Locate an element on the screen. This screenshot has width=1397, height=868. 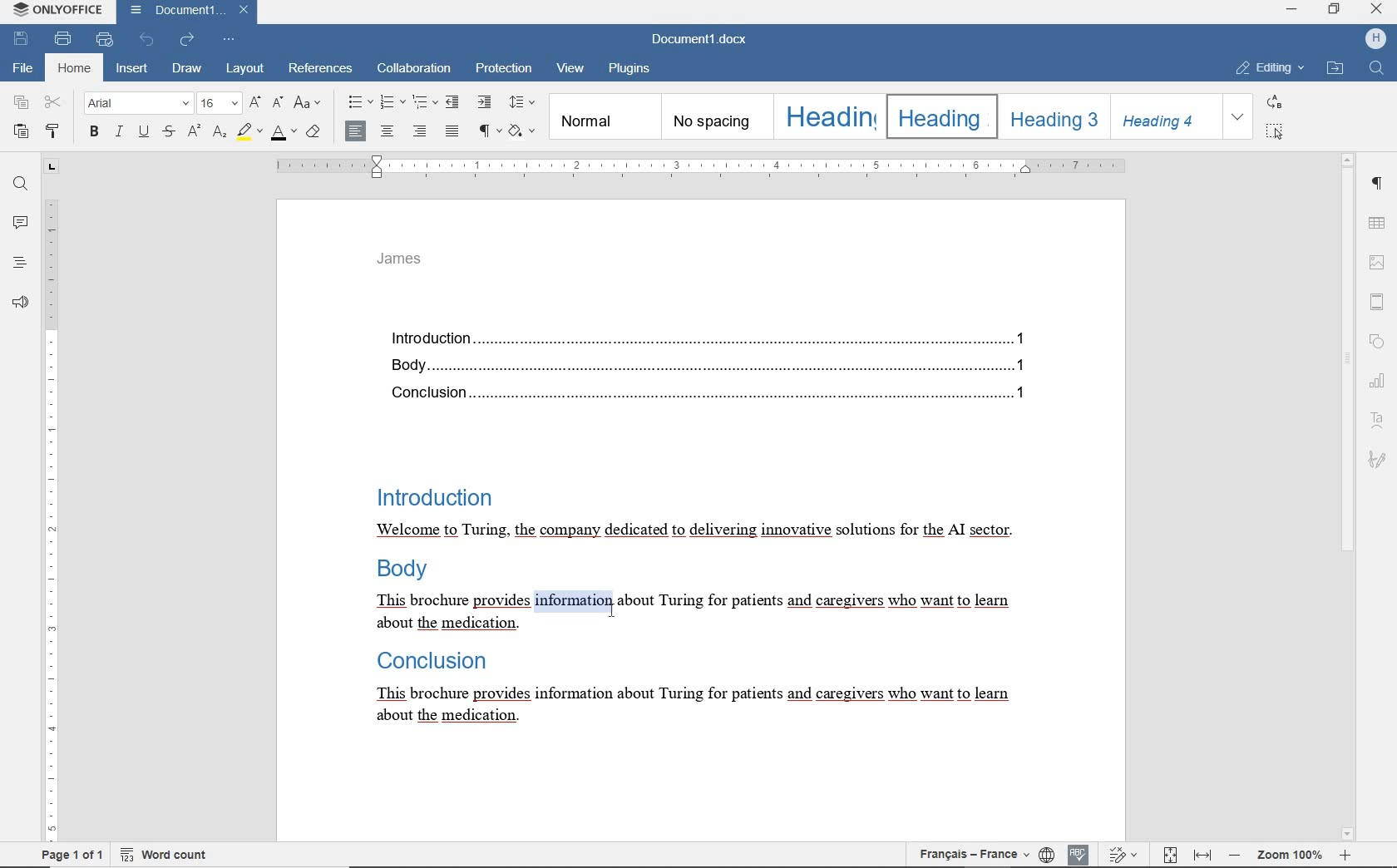
HEADING 4 is located at coordinates (1164, 116).